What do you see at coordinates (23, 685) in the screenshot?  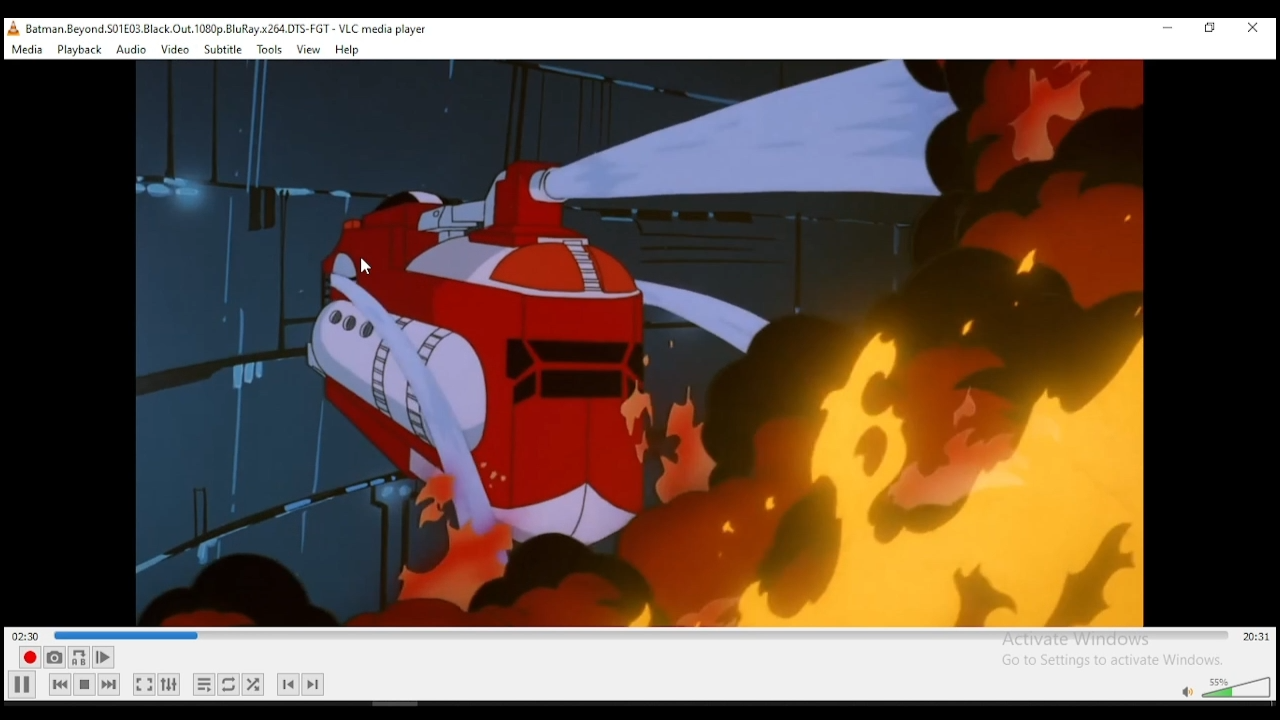 I see `Play/Pause` at bounding box center [23, 685].